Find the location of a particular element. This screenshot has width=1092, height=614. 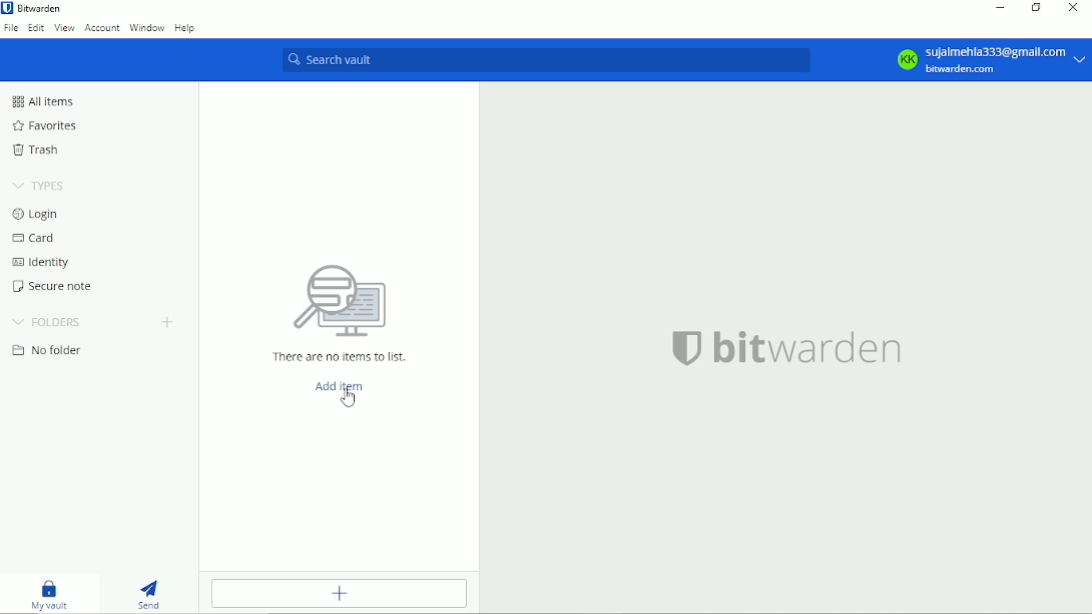

Send is located at coordinates (147, 595).